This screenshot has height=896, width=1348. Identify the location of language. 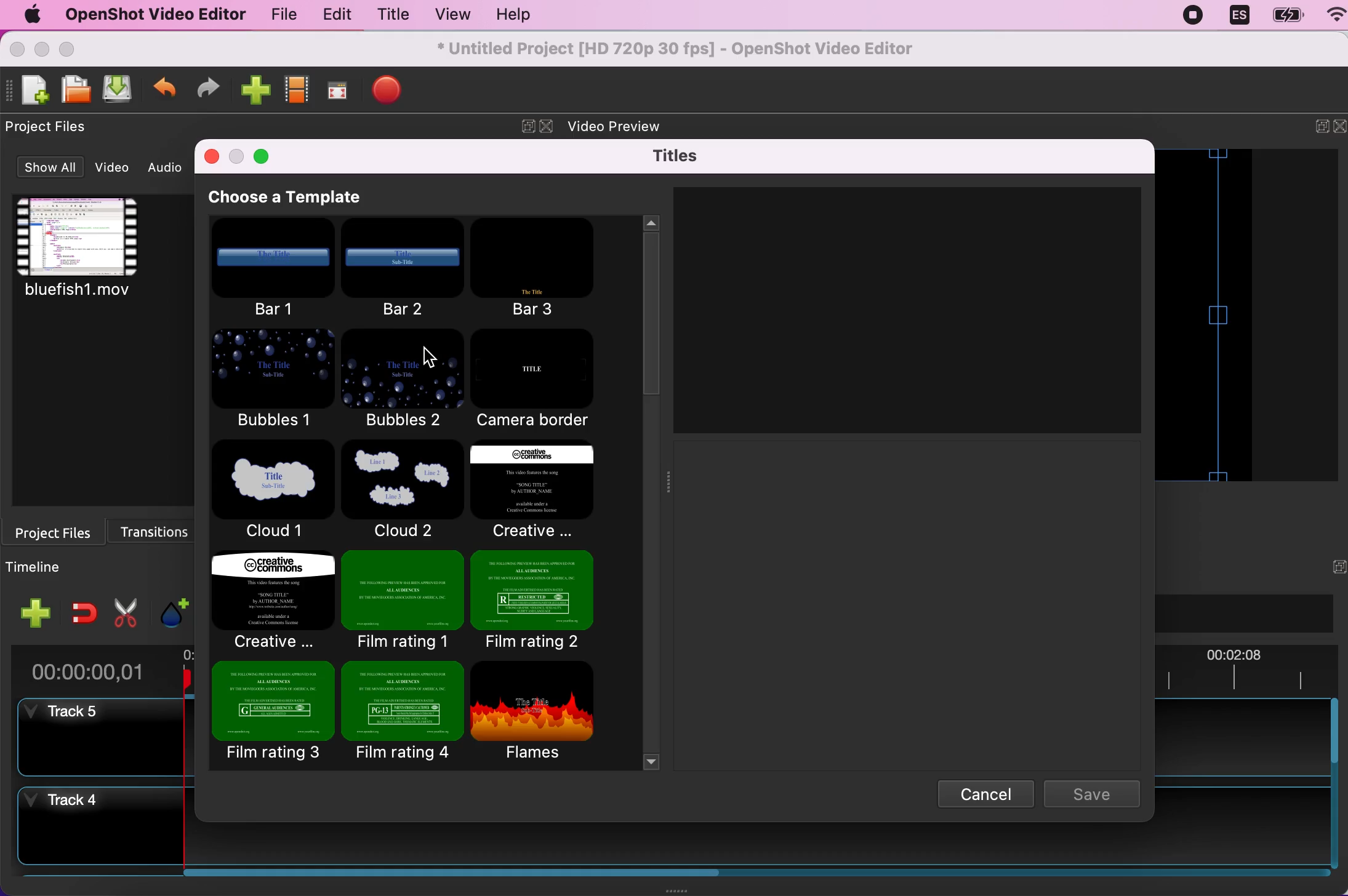
(1238, 16).